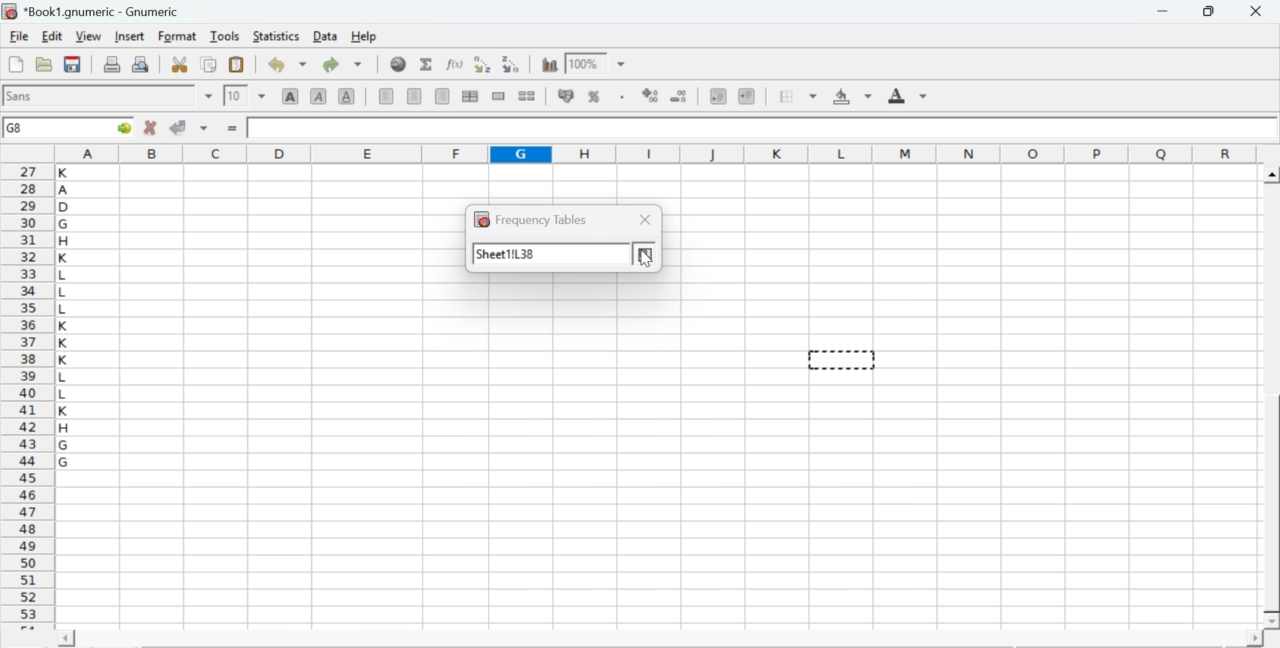  Describe the element at coordinates (515, 256) in the screenshot. I see `Sheet1` at that location.